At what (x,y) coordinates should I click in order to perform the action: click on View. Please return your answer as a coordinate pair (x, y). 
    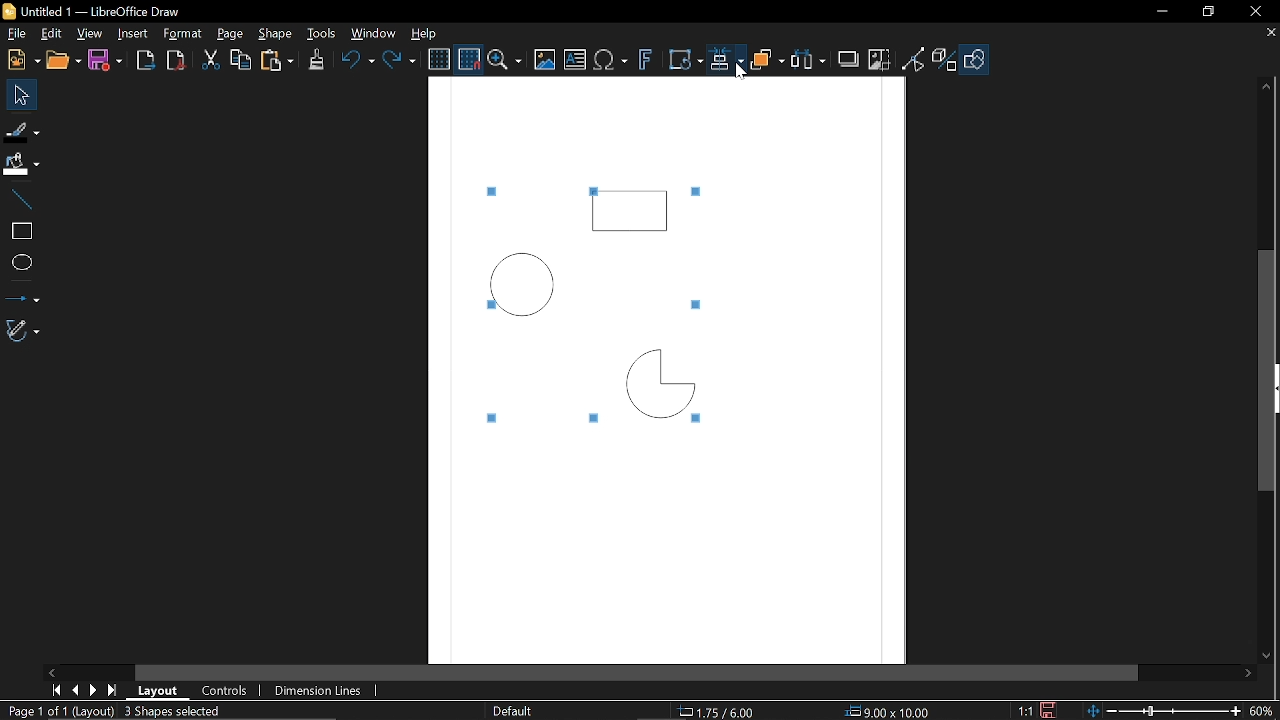
    Looking at the image, I should click on (87, 35).